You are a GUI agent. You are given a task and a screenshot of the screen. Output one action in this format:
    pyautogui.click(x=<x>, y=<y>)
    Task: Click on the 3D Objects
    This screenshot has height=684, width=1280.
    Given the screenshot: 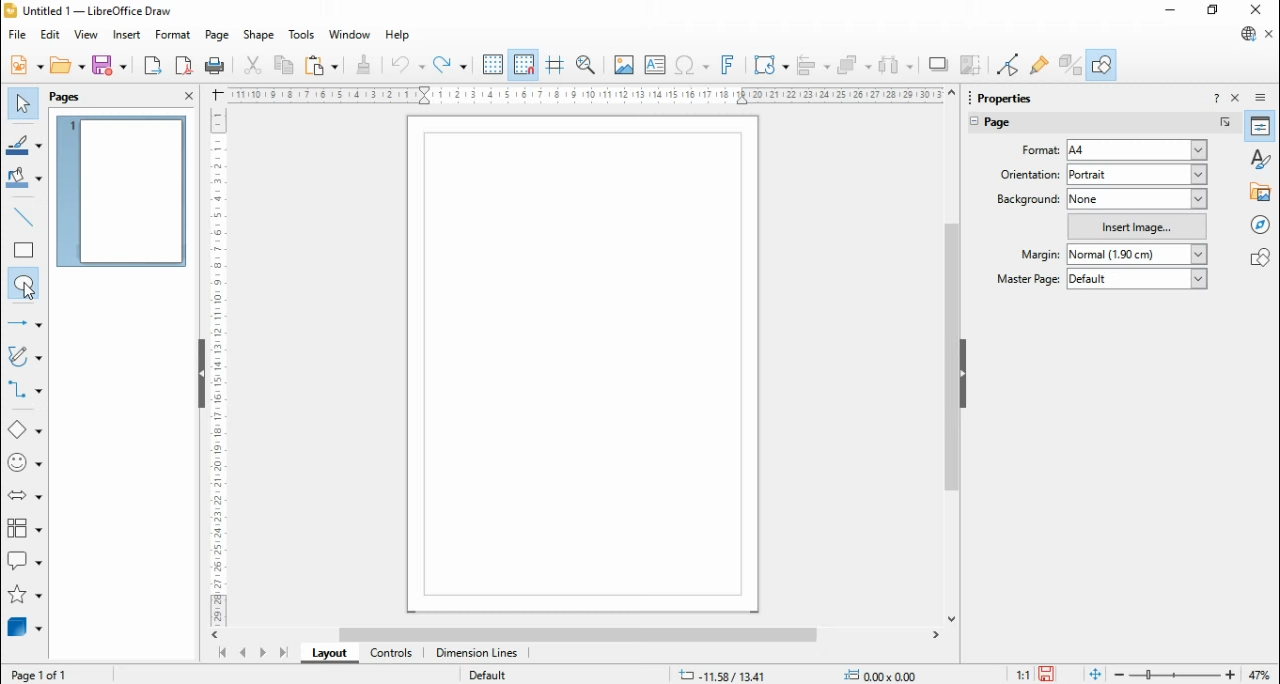 What is the action you would take?
    pyautogui.click(x=23, y=627)
    